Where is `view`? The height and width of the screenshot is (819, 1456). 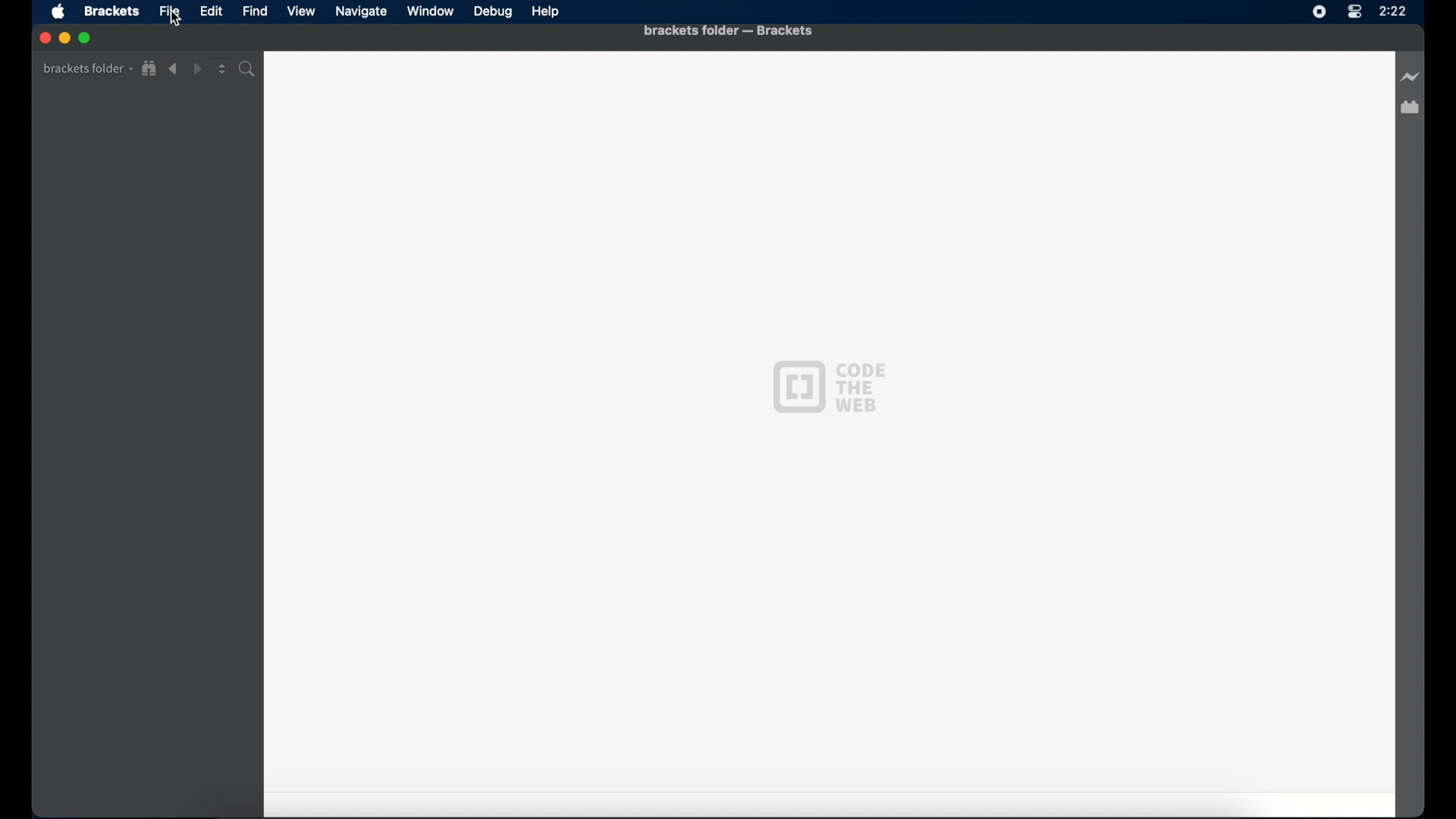
view is located at coordinates (301, 11).